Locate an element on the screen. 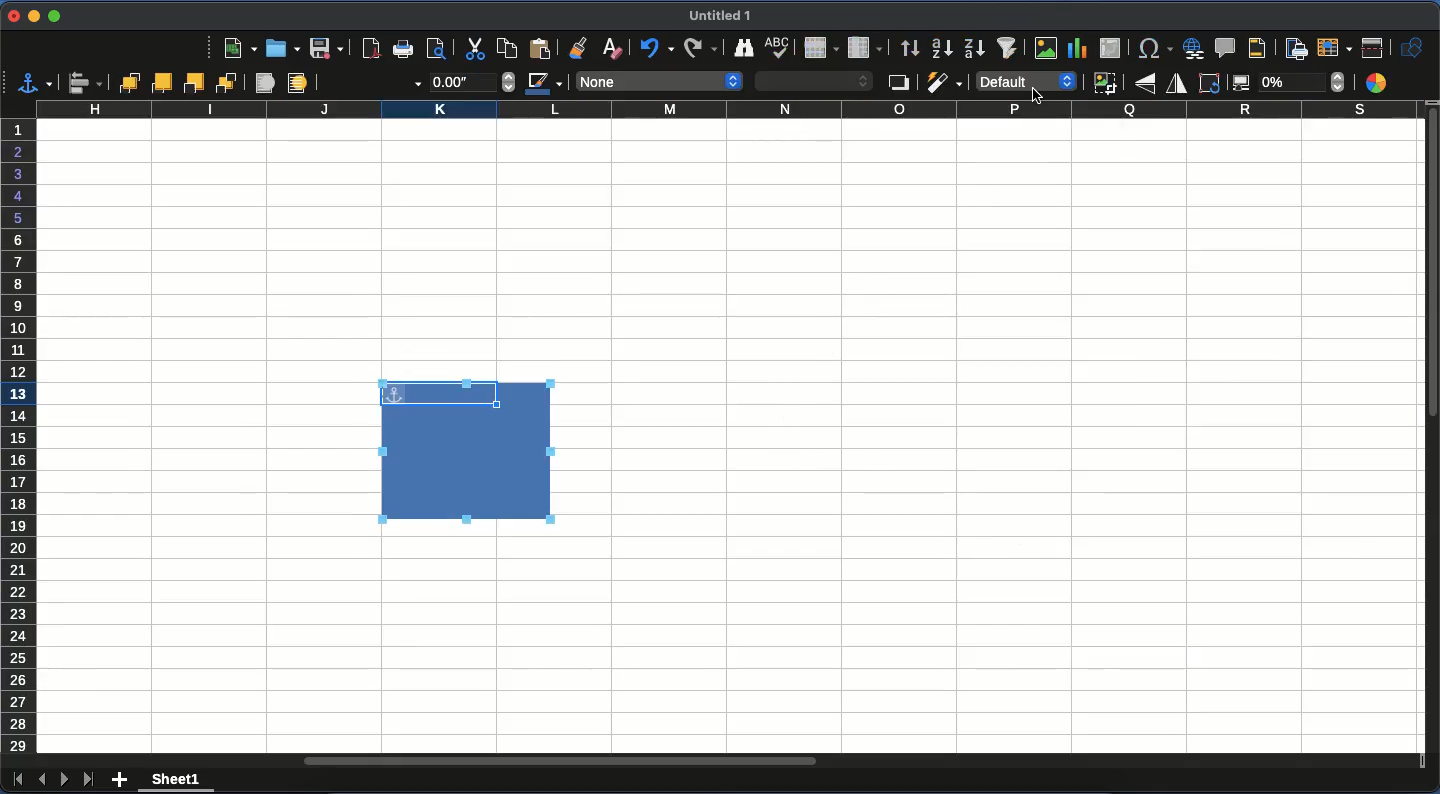 The height and width of the screenshot is (794, 1440). forward one is located at coordinates (164, 82).